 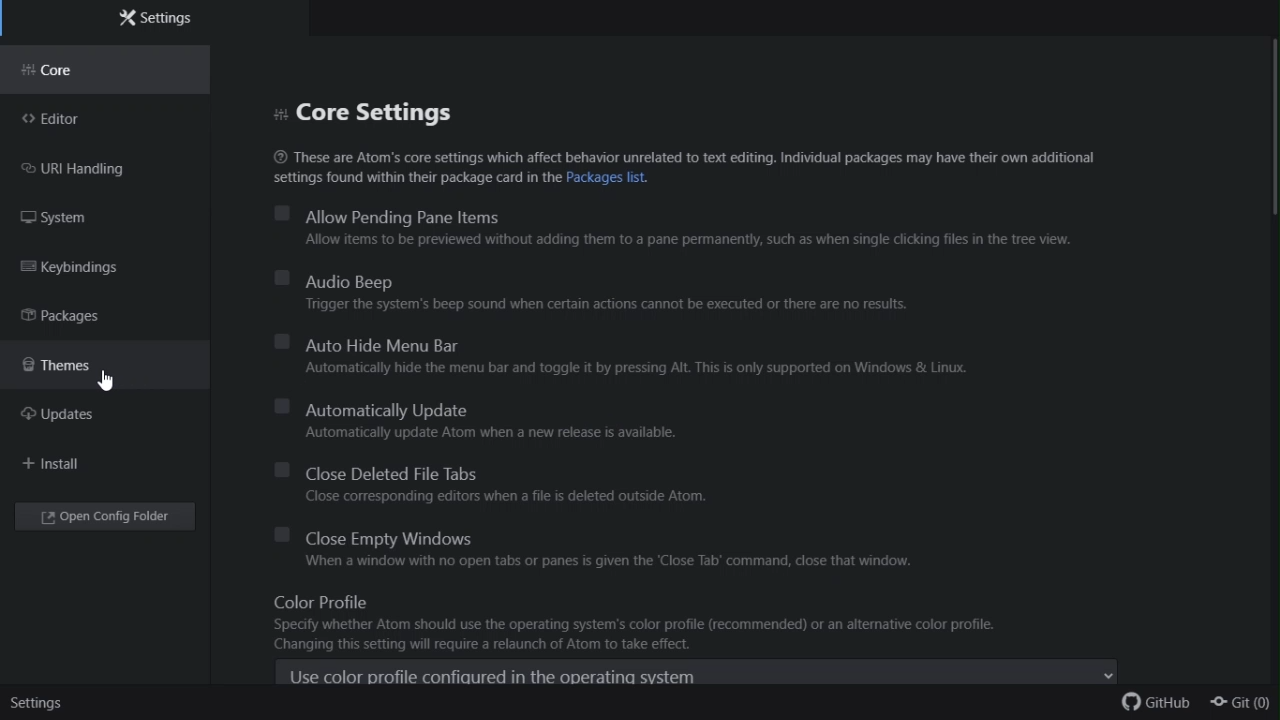 What do you see at coordinates (619, 241) in the screenshot?
I see `Allow items to be previewed without adding them to a pane permanently, such as when single clicking files in the tree view.` at bounding box center [619, 241].